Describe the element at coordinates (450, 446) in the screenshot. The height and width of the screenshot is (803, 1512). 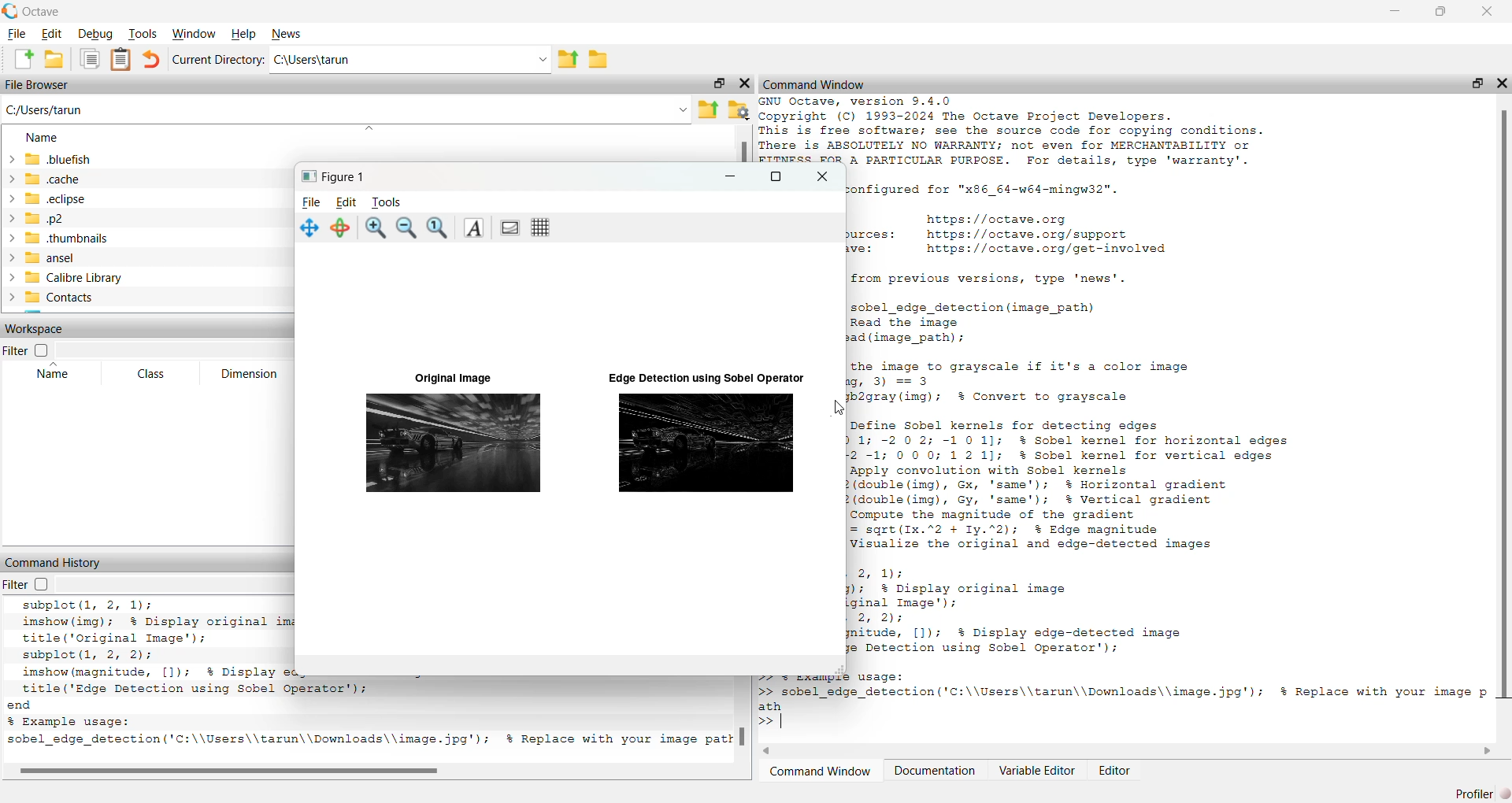
I see `image` at that location.